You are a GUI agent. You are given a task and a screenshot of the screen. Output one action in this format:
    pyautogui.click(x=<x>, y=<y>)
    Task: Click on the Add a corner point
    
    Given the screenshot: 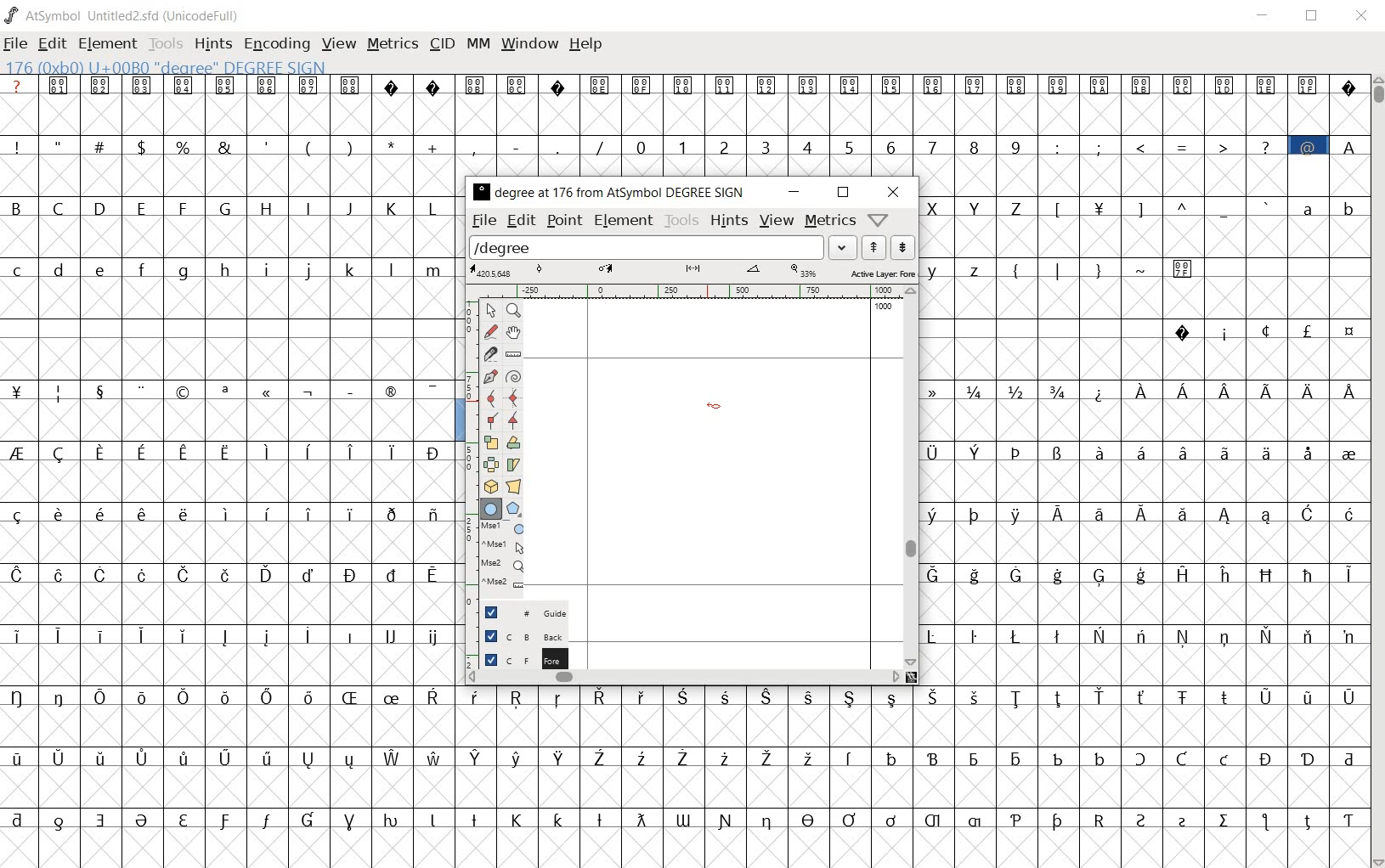 What is the action you would take?
    pyautogui.click(x=490, y=422)
    